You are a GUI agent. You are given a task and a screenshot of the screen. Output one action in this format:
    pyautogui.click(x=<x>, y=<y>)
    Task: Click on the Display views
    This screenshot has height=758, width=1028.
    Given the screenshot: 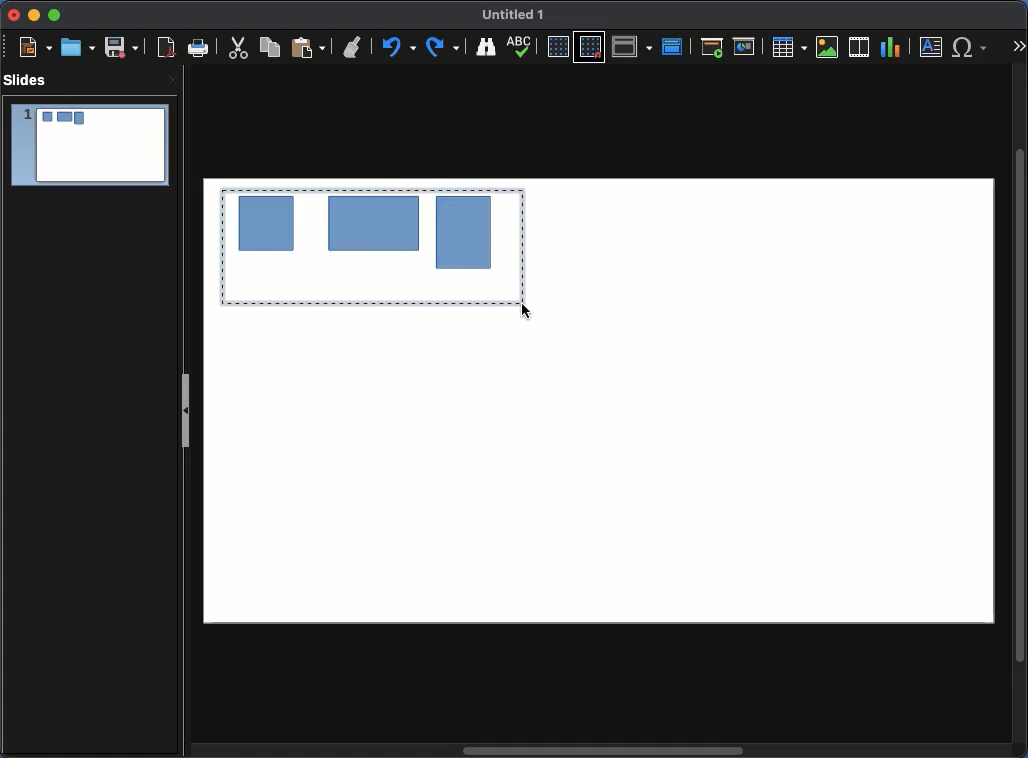 What is the action you would take?
    pyautogui.click(x=632, y=46)
    